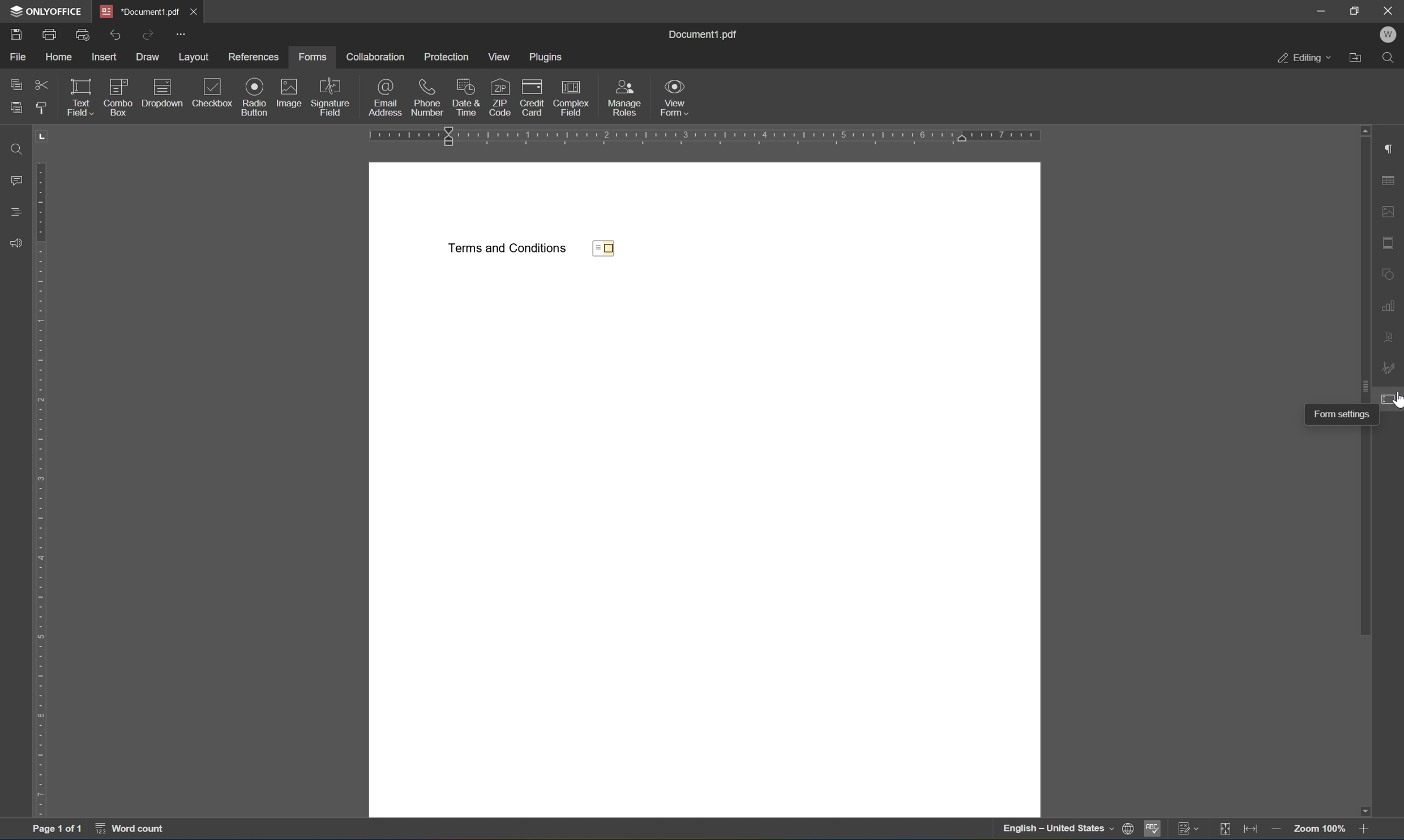 The height and width of the screenshot is (840, 1404). Describe the element at coordinates (18, 35) in the screenshot. I see `save` at that location.